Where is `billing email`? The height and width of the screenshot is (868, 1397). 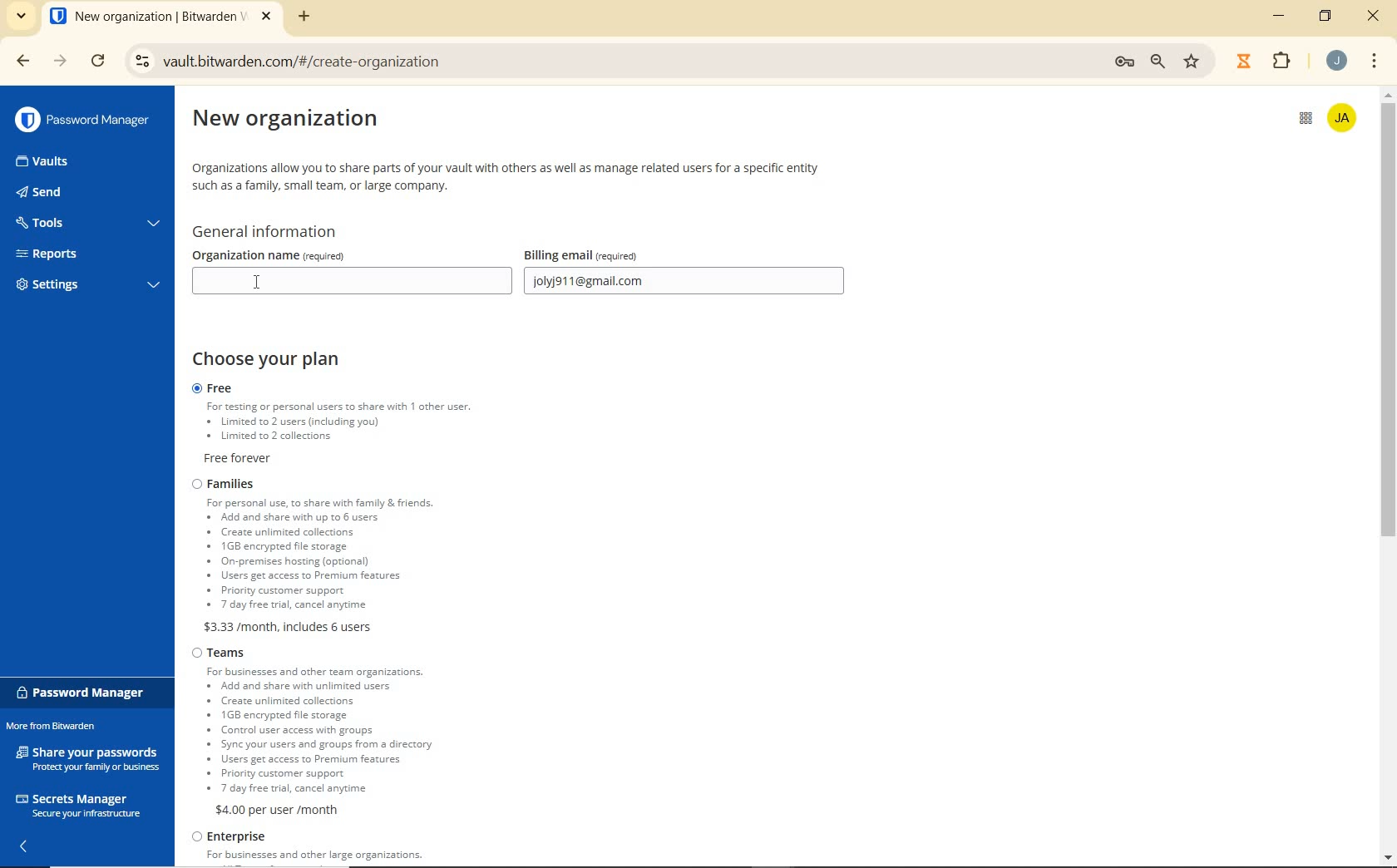
billing email is located at coordinates (617, 254).